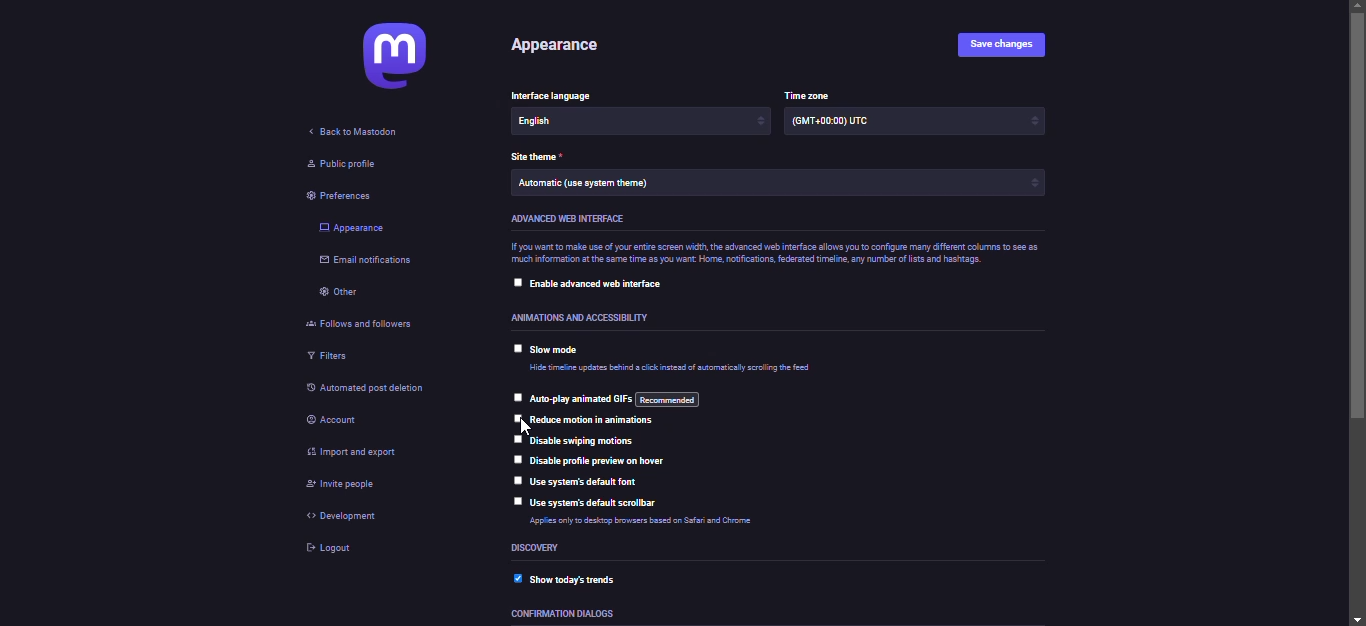  What do you see at coordinates (808, 94) in the screenshot?
I see `time zone` at bounding box center [808, 94].